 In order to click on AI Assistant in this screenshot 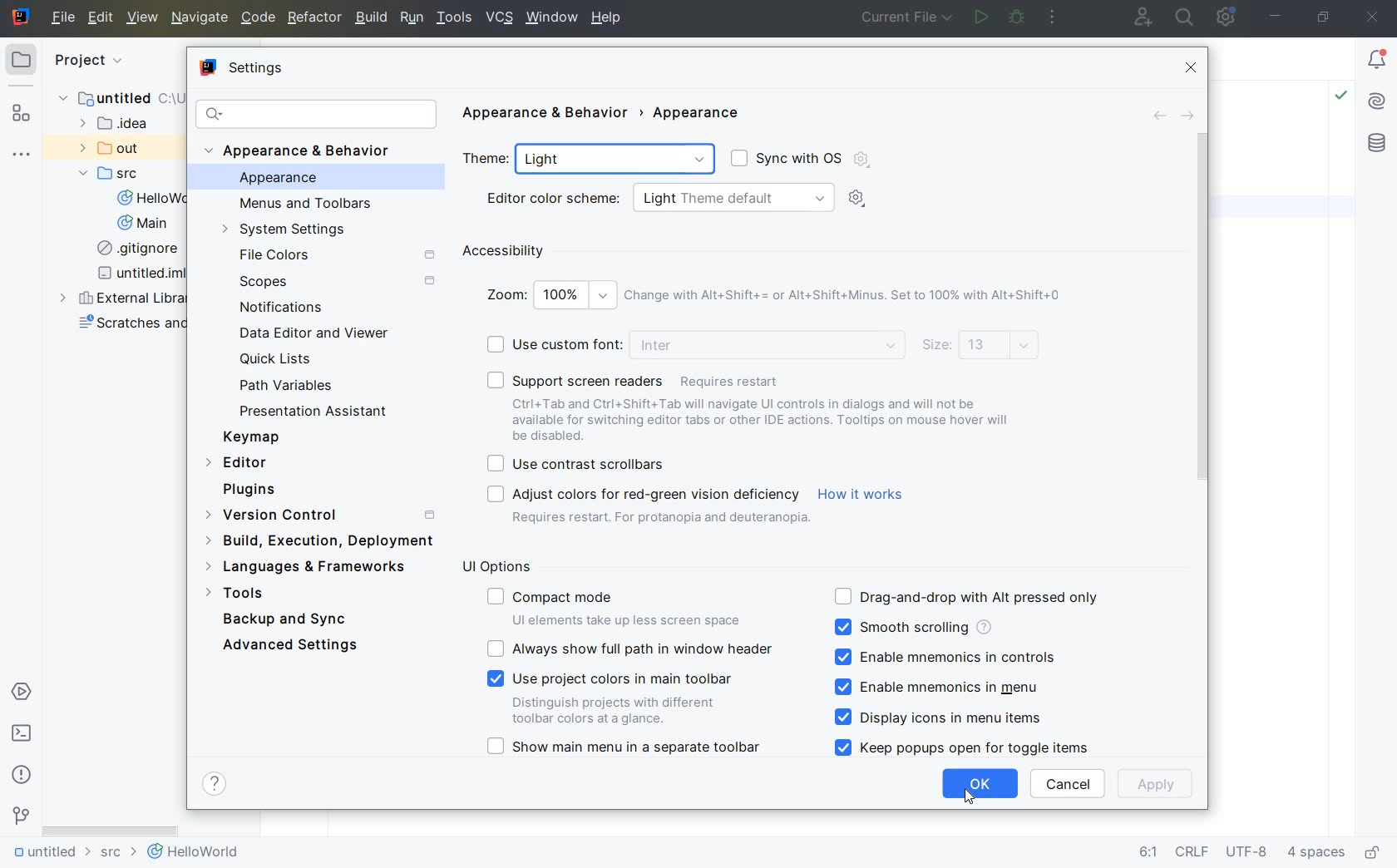, I will do `click(1376, 101)`.